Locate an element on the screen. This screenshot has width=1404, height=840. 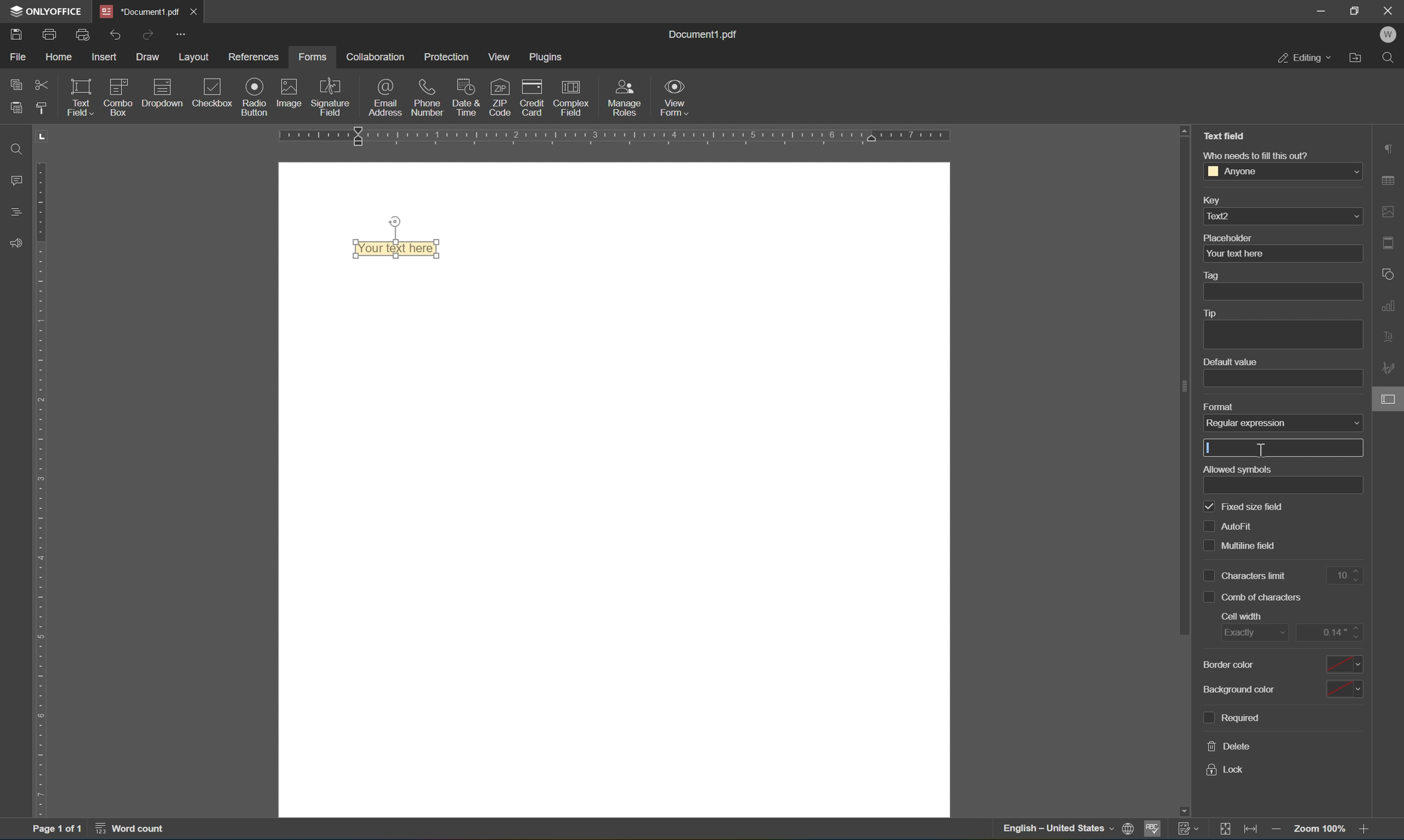
image is located at coordinates (292, 94).